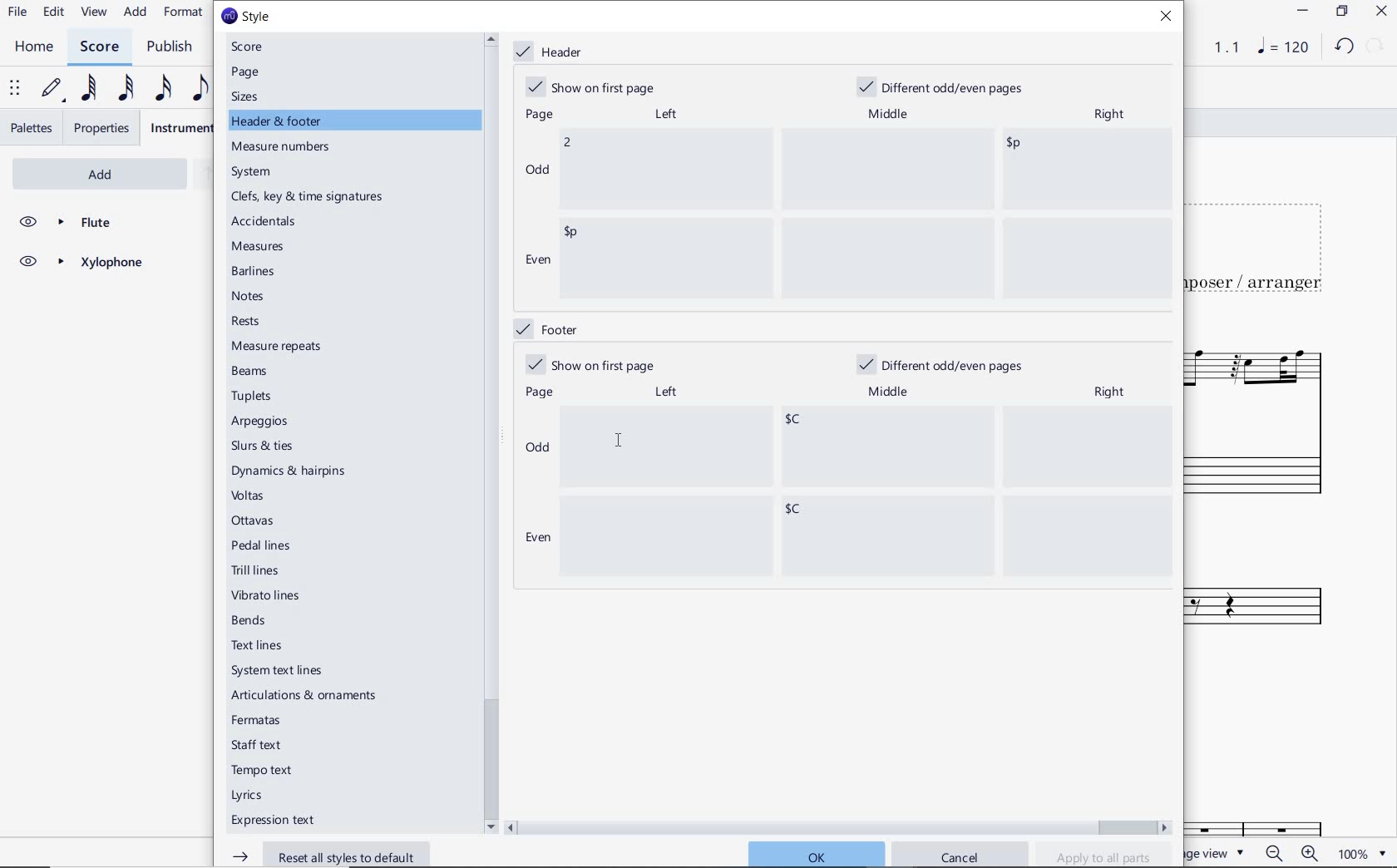 Image resolution: width=1397 pixels, height=868 pixels. Describe the element at coordinates (15, 89) in the screenshot. I see `SELECT TO MOVE` at that location.